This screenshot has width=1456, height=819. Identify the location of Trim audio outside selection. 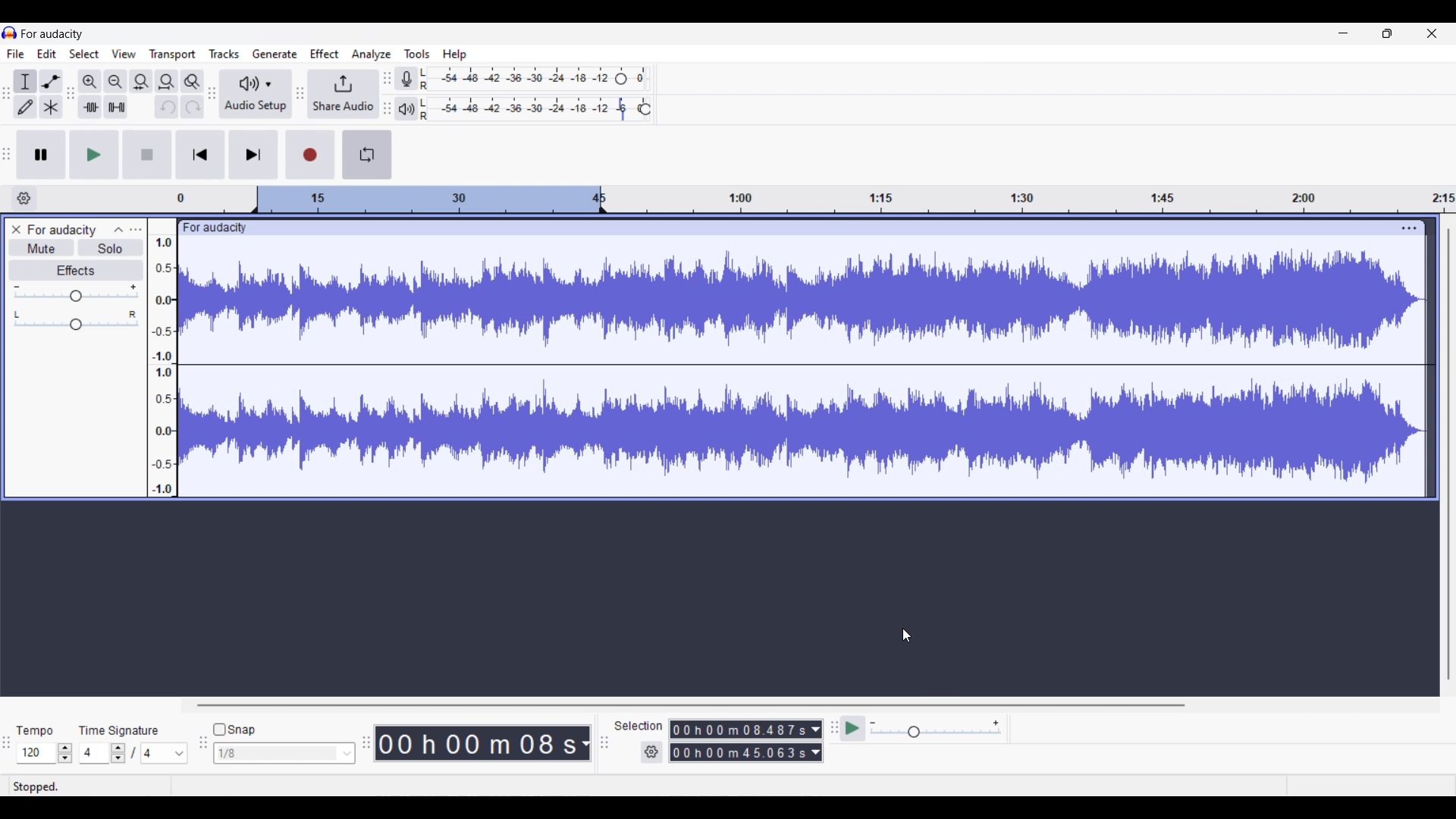
(90, 107).